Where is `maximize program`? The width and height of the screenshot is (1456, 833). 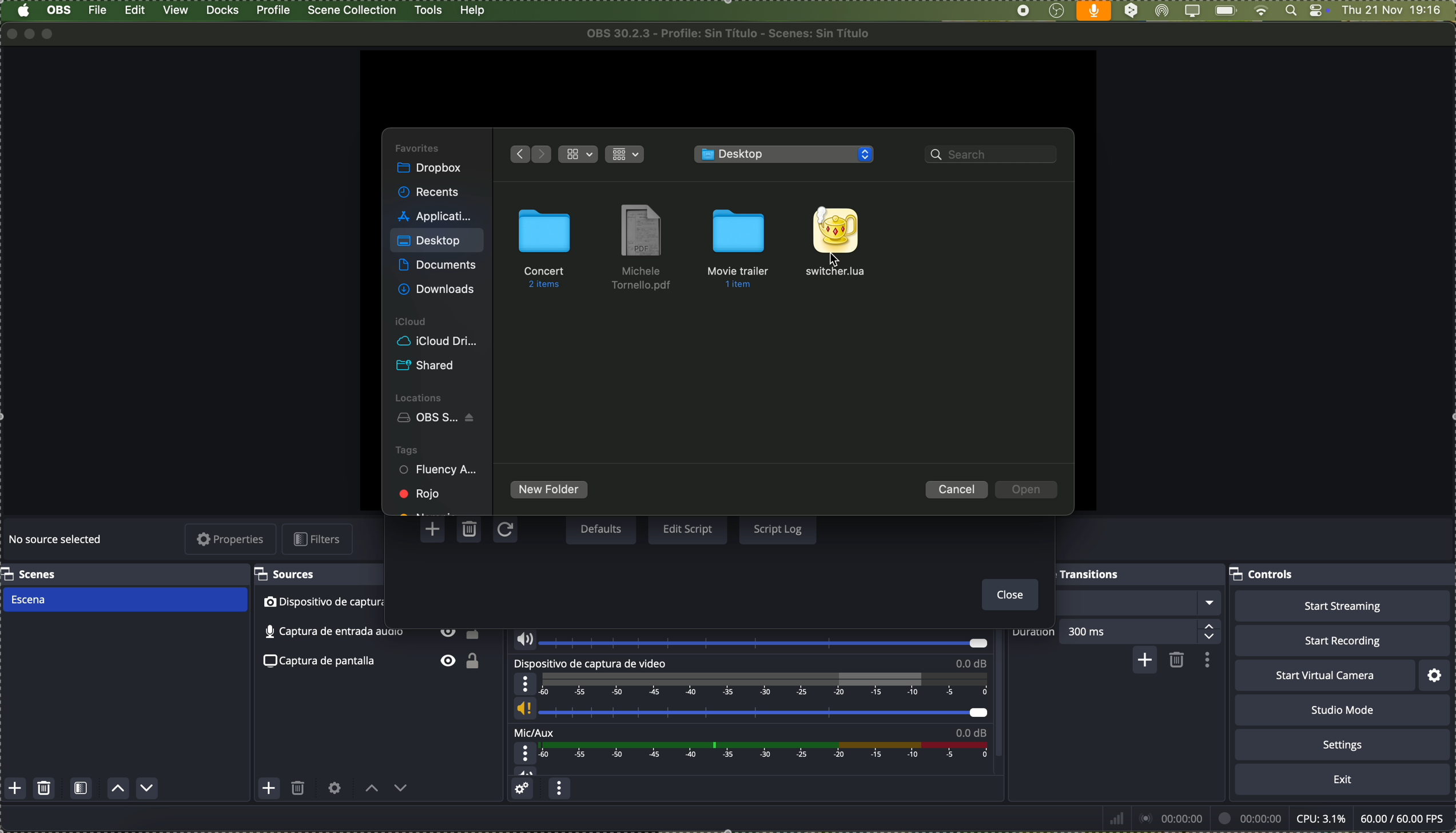 maximize program is located at coordinates (51, 34).